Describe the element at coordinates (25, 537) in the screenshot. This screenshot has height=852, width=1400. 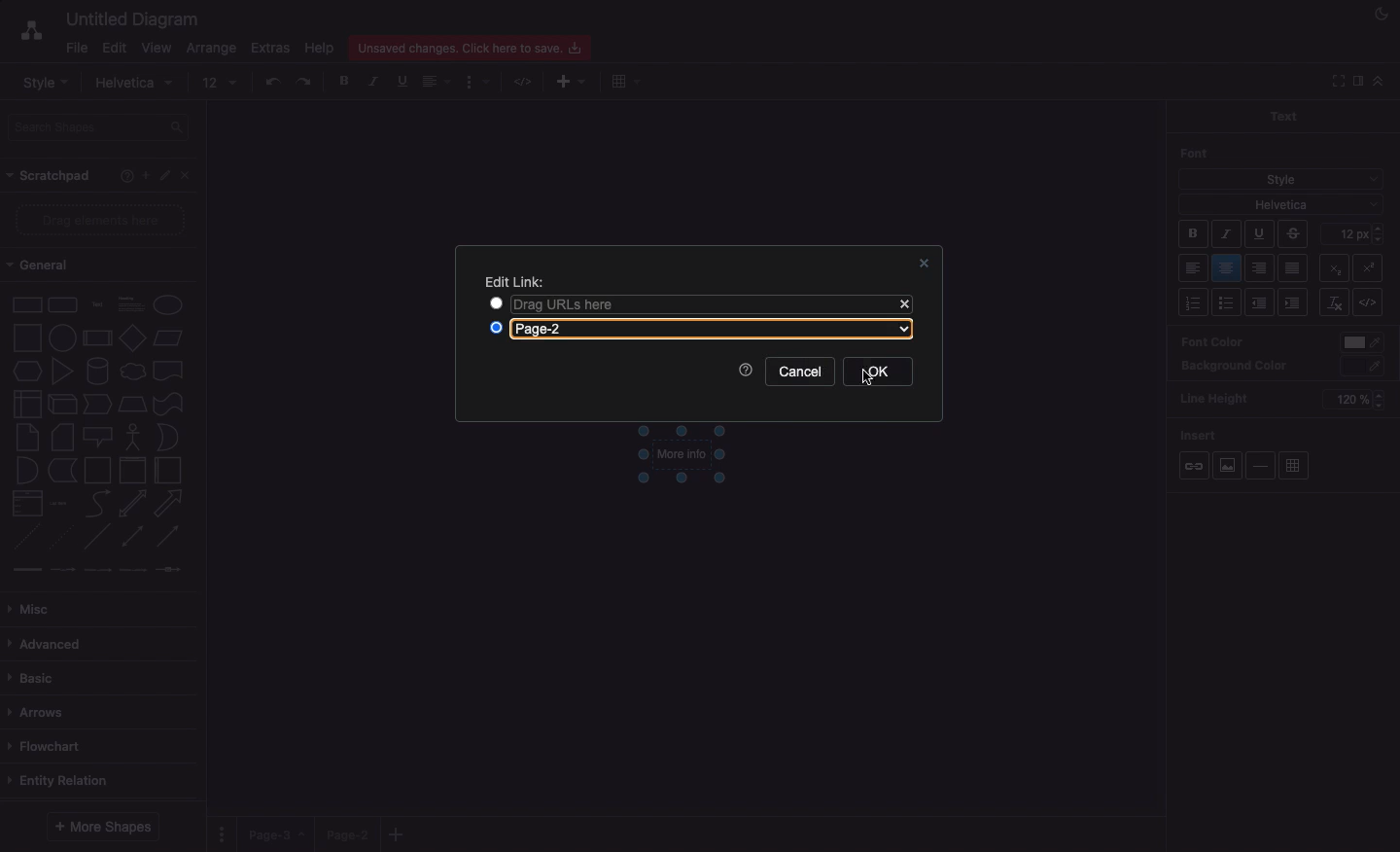
I see `dashed line` at that location.